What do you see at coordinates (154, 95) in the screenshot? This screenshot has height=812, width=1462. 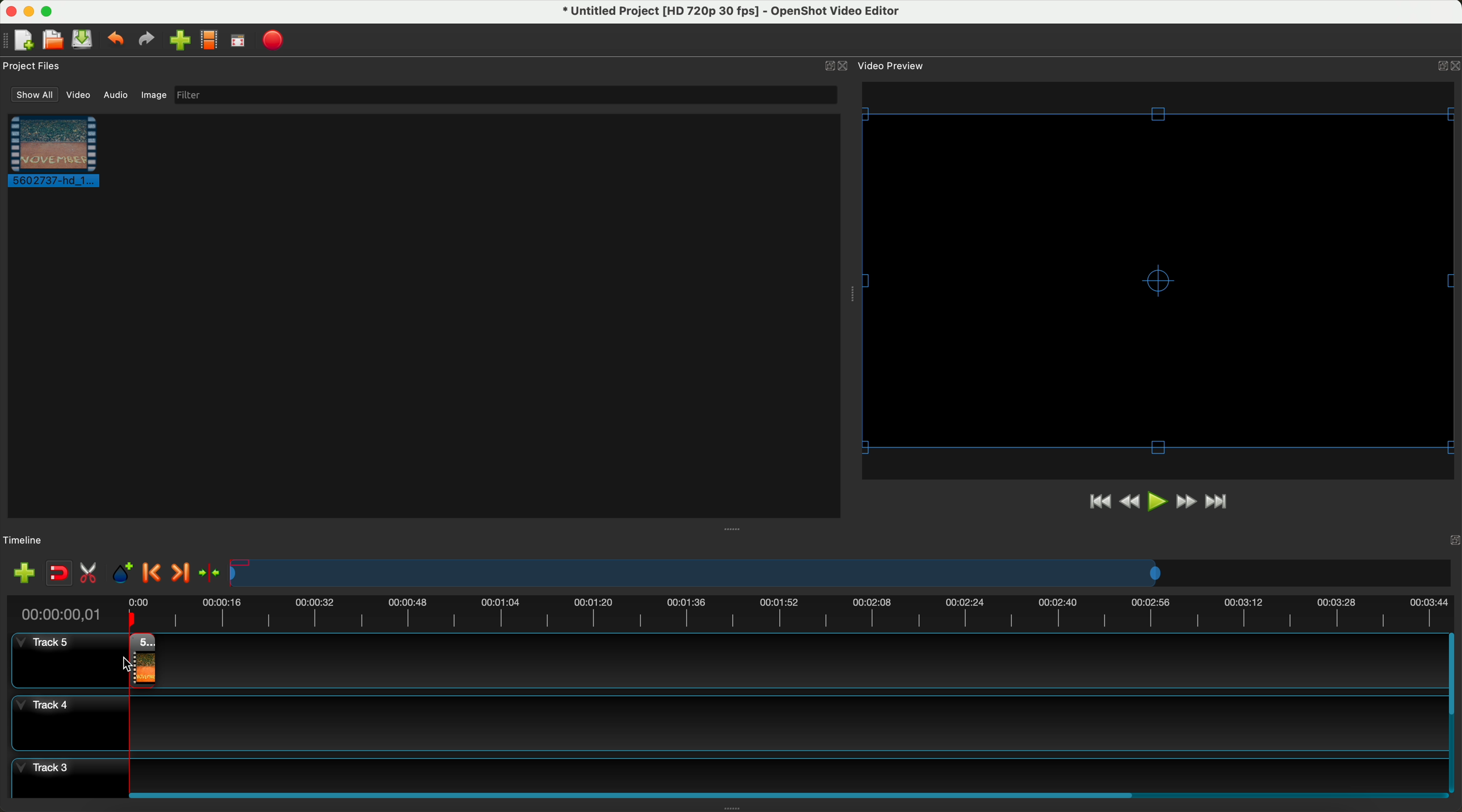 I see `image` at bounding box center [154, 95].